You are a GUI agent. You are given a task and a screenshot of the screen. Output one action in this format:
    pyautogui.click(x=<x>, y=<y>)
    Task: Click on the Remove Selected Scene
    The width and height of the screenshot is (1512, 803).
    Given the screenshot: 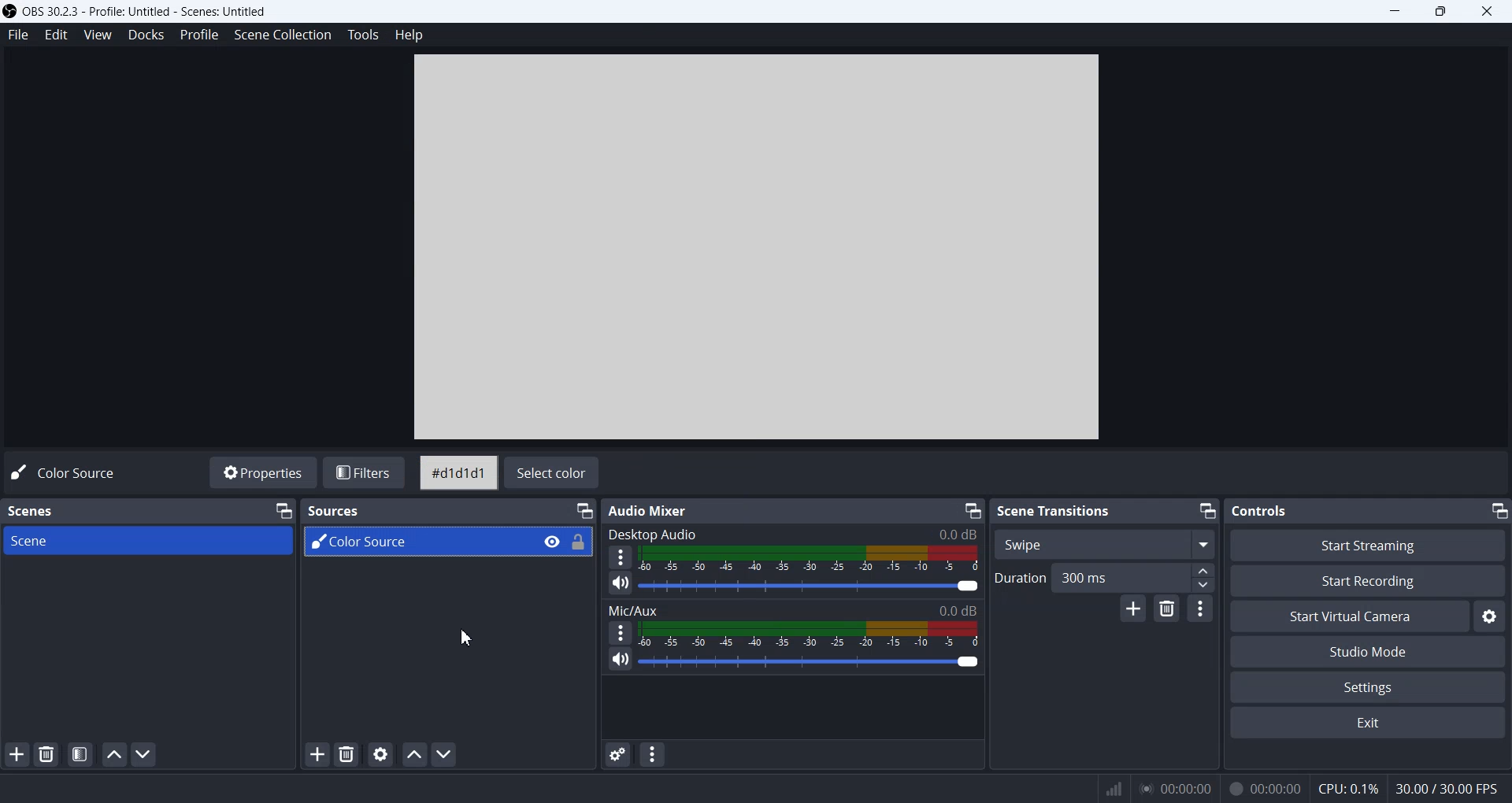 What is the action you would take?
    pyautogui.click(x=48, y=754)
    